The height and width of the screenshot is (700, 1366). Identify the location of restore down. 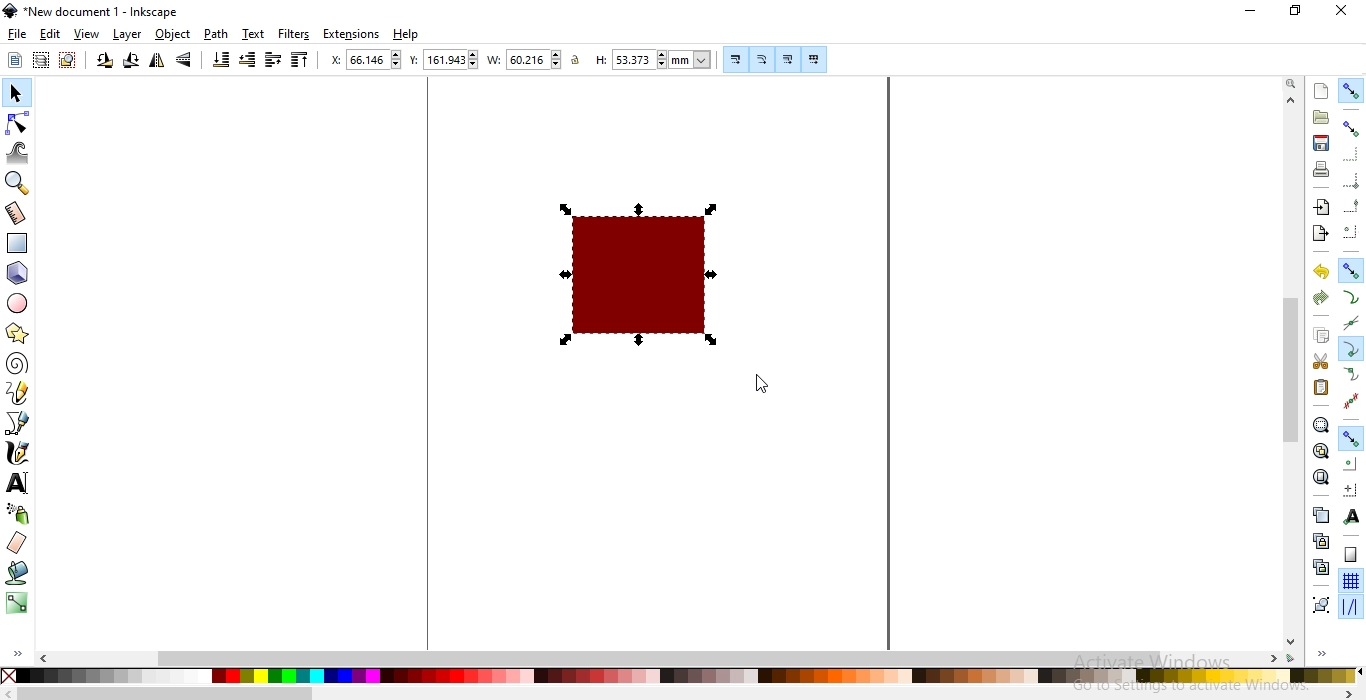
(1294, 9).